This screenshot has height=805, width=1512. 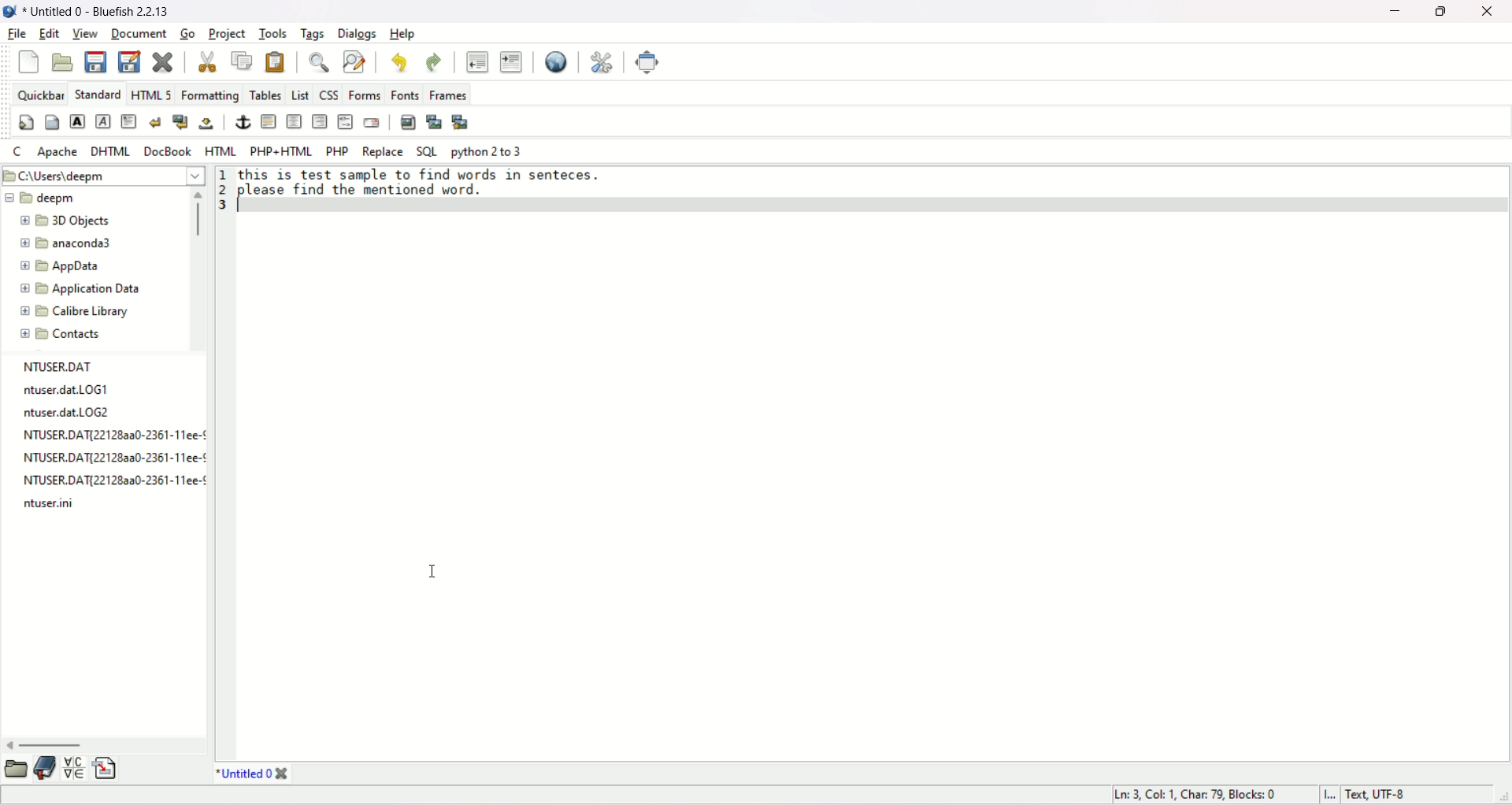 What do you see at coordinates (353, 60) in the screenshot?
I see `advanced find and replace` at bounding box center [353, 60].